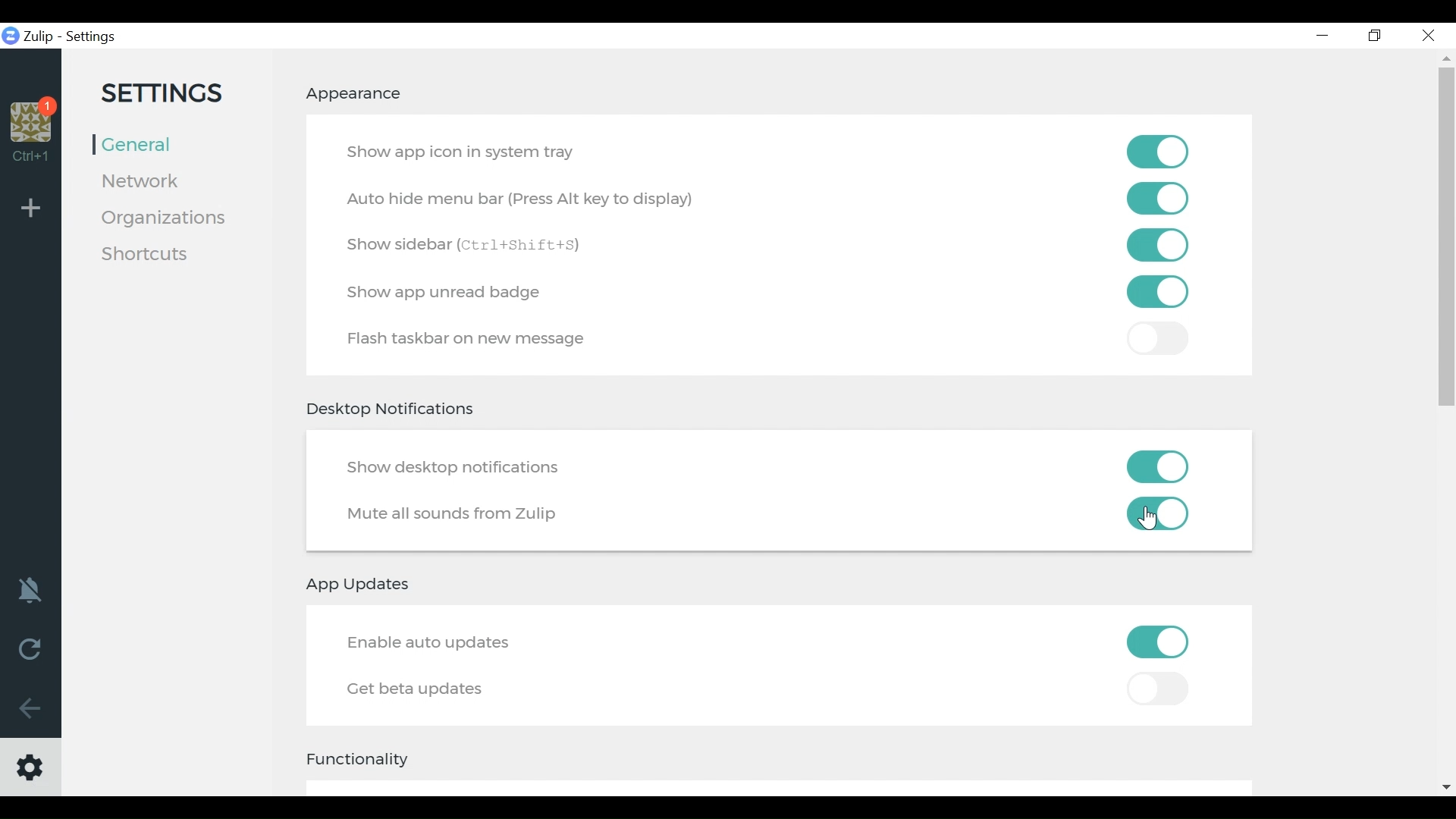 This screenshot has width=1456, height=819. What do you see at coordinates (30, 648) in the screenshot?
I see `Reload` at bounding box center [30, 648].